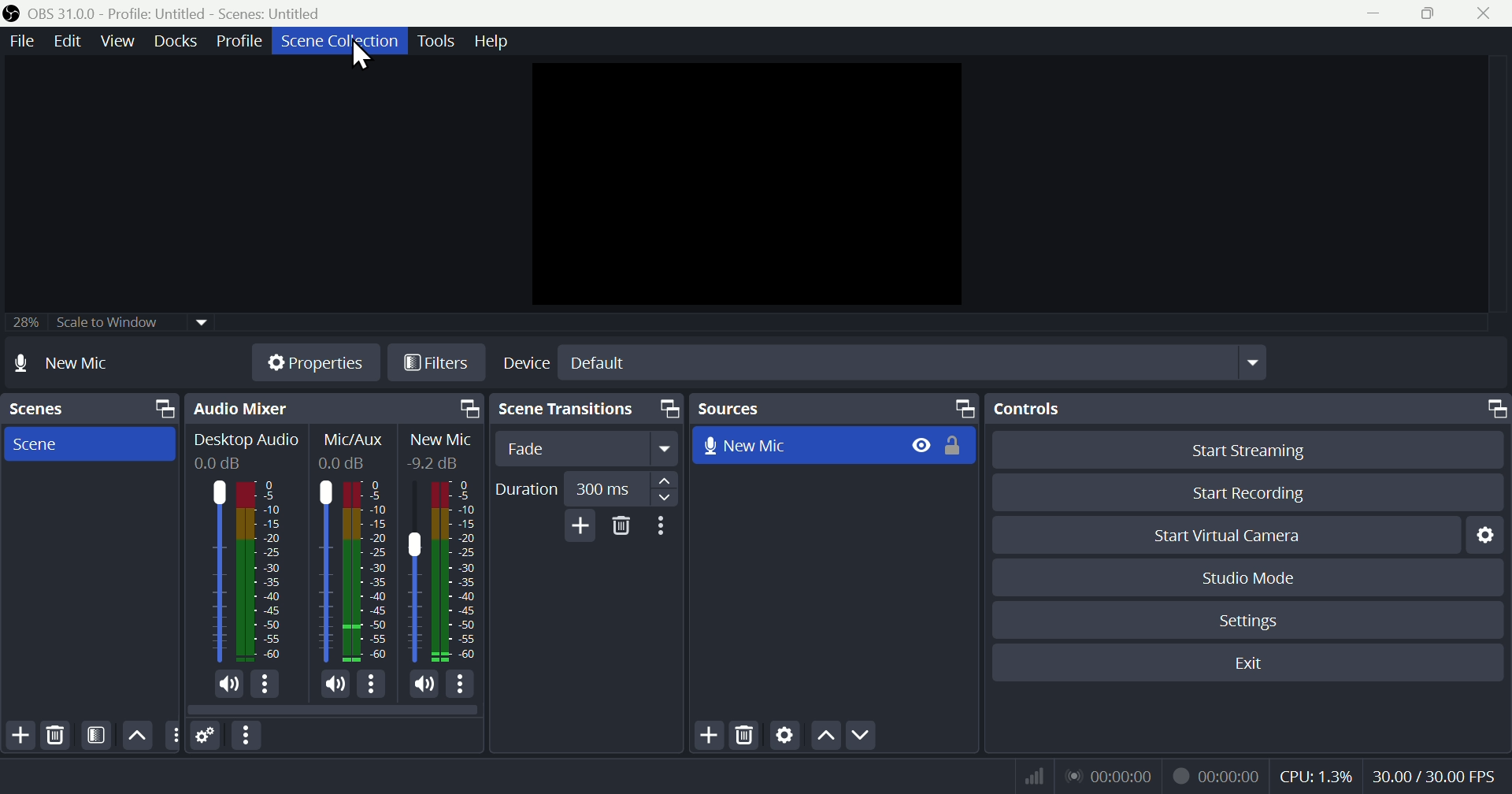 The image size is (1512, 794). What do you see at coordinates (91, 446) in the screenshot?
I see `Scene` at bounding box center [91, 446].